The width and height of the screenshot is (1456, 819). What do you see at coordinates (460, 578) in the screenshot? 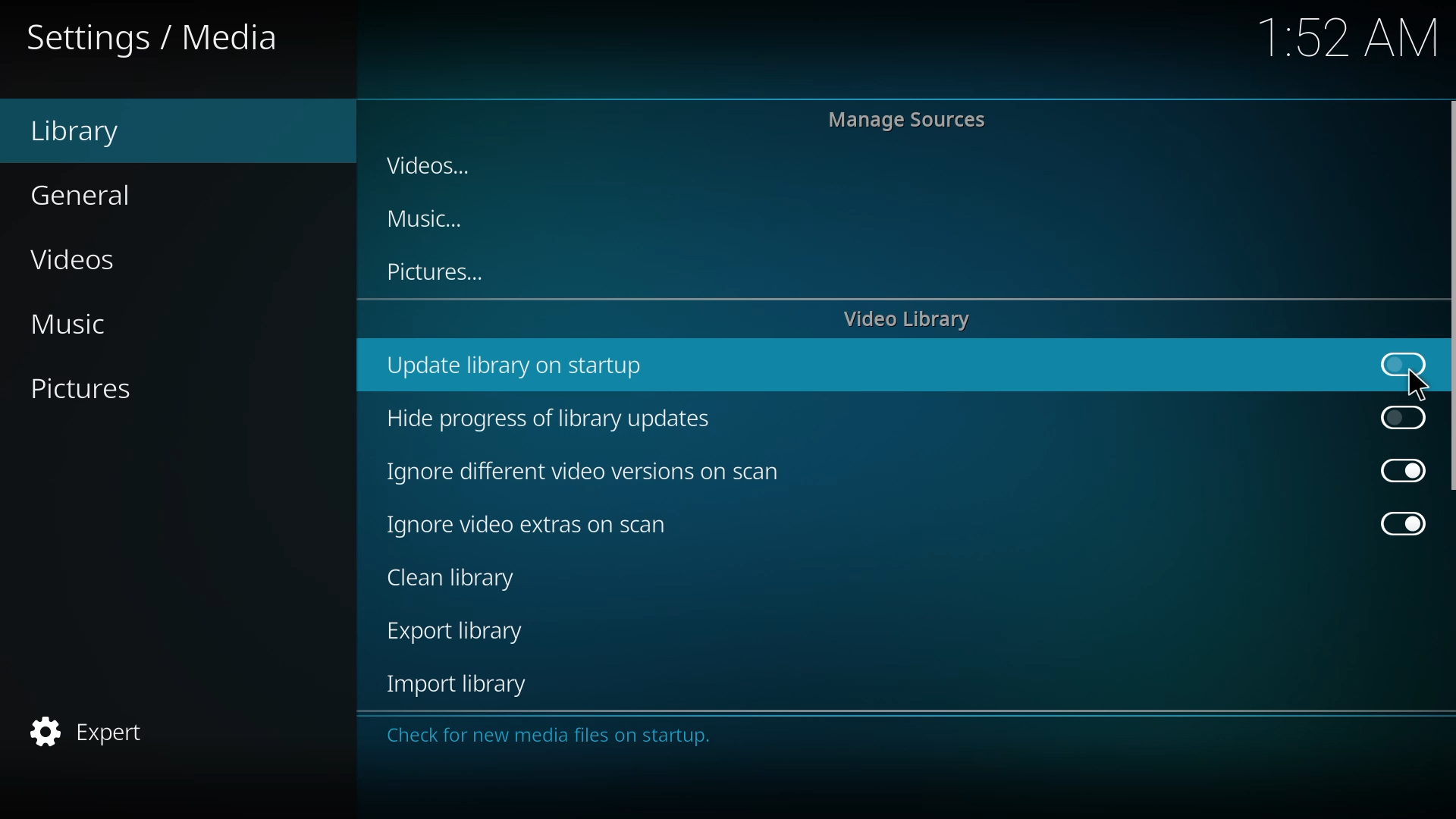
I see `clean library` at bounding box center [460, 578].